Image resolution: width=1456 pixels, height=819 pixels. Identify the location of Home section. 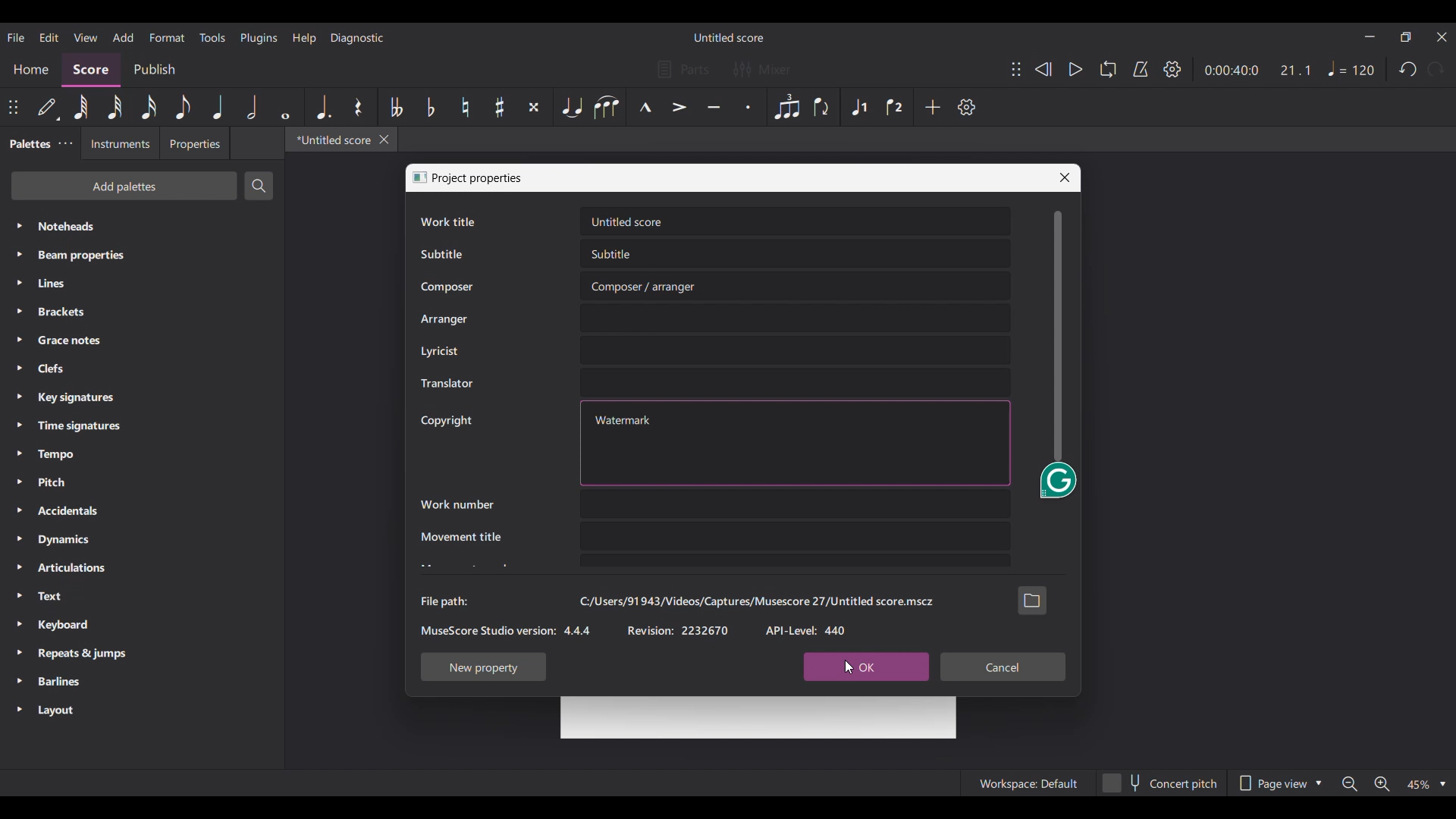
(30, 71).